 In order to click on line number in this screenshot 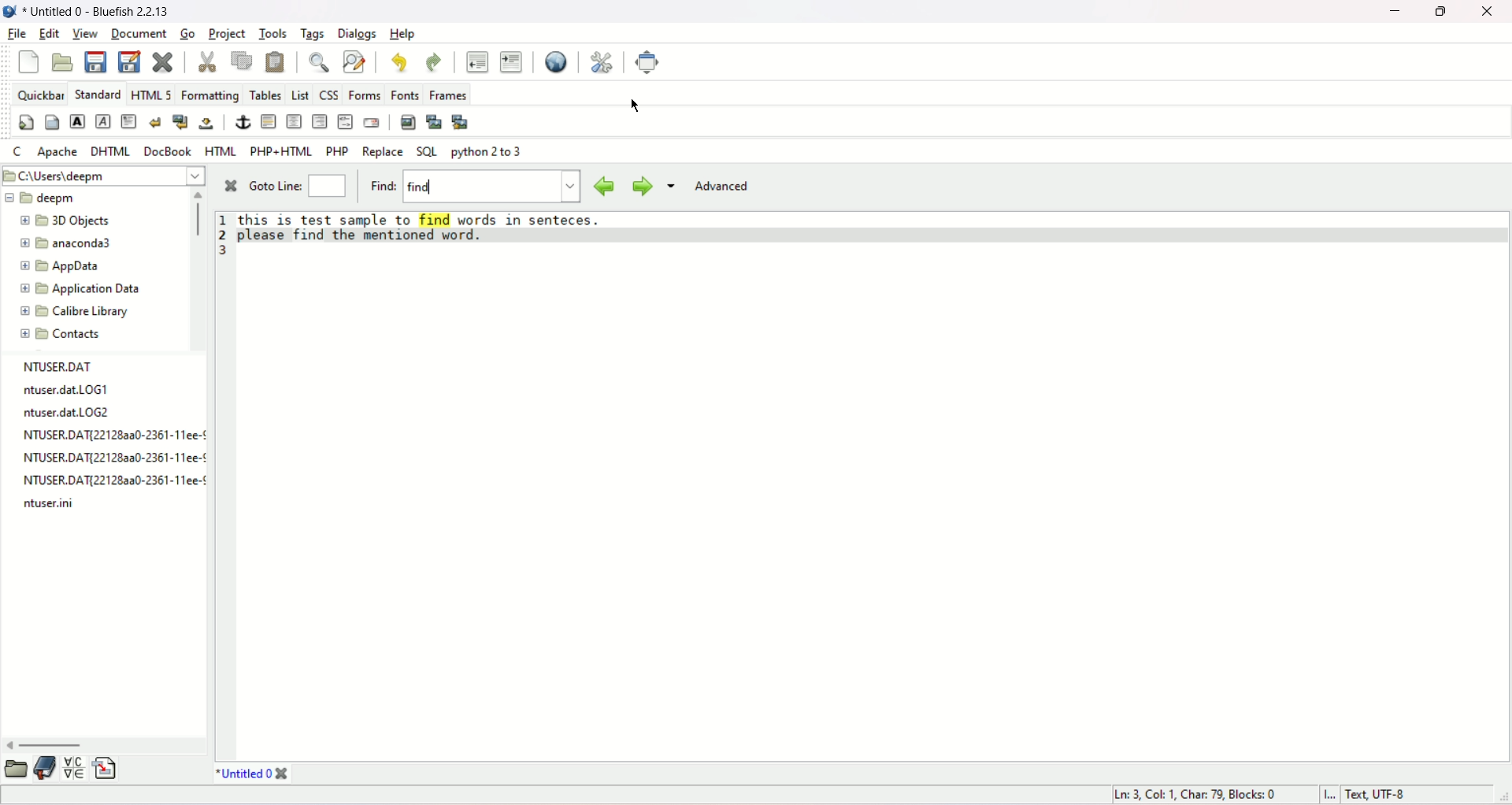, I will do `click(224, 235)`.